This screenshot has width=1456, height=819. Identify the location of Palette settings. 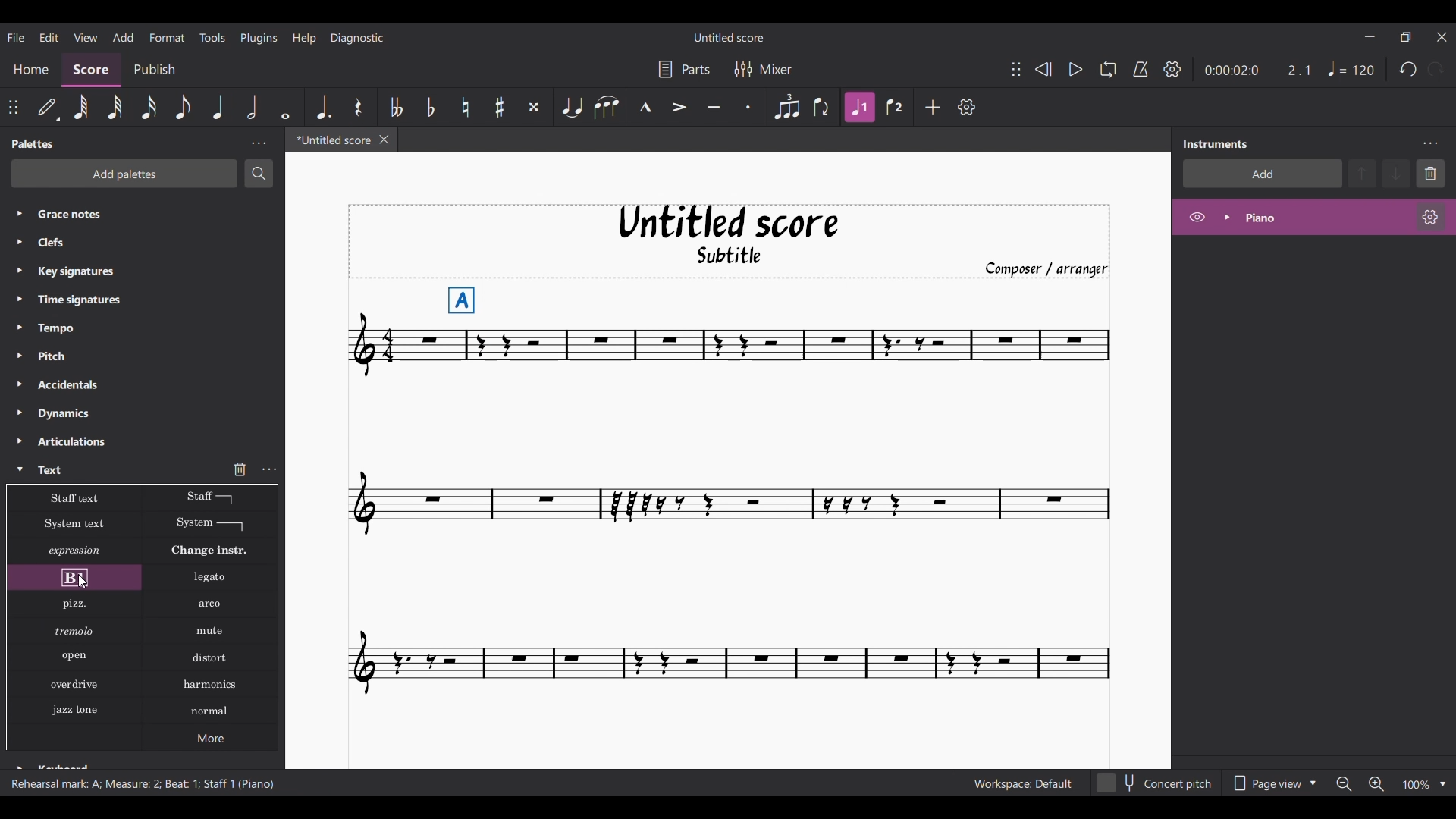
(259, 143).